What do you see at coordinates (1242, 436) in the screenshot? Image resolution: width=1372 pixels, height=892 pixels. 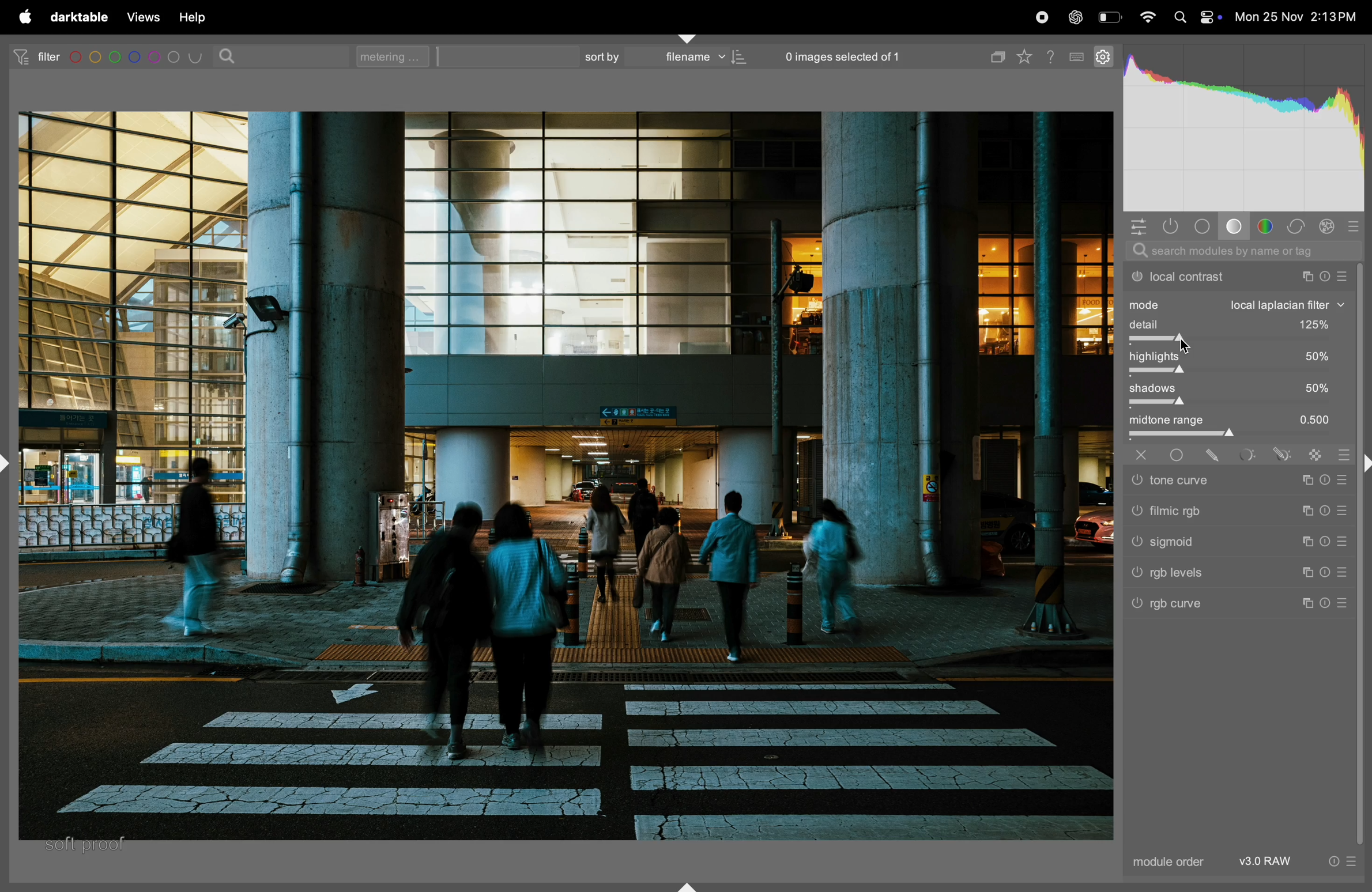 I see `toggle` at bounding box center [1242, 436].